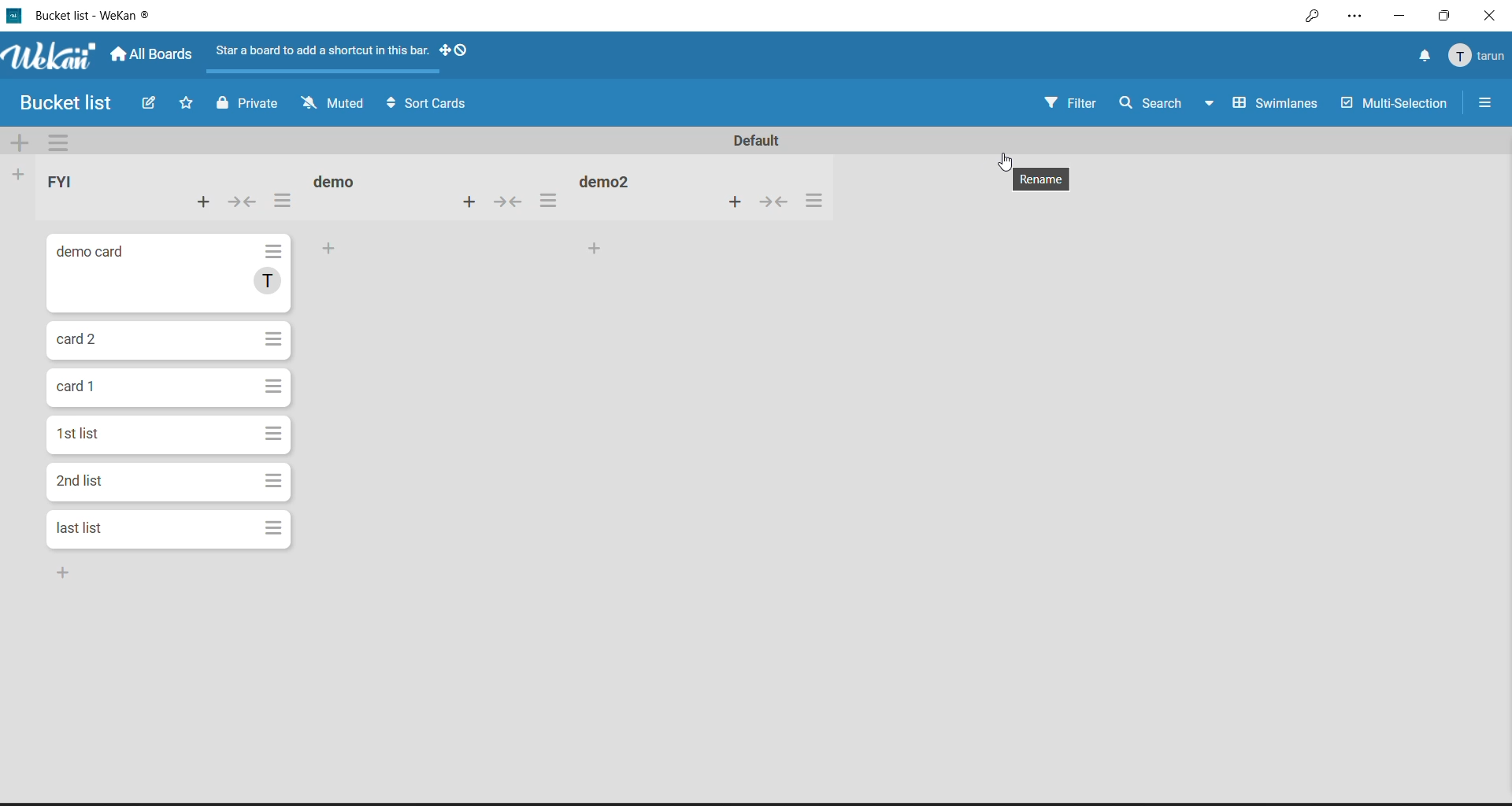 This screenshot has width=1512, height=806. Describe the element at coordinates (1394, 103) in the screenshot. I see `multi selection` at that location.